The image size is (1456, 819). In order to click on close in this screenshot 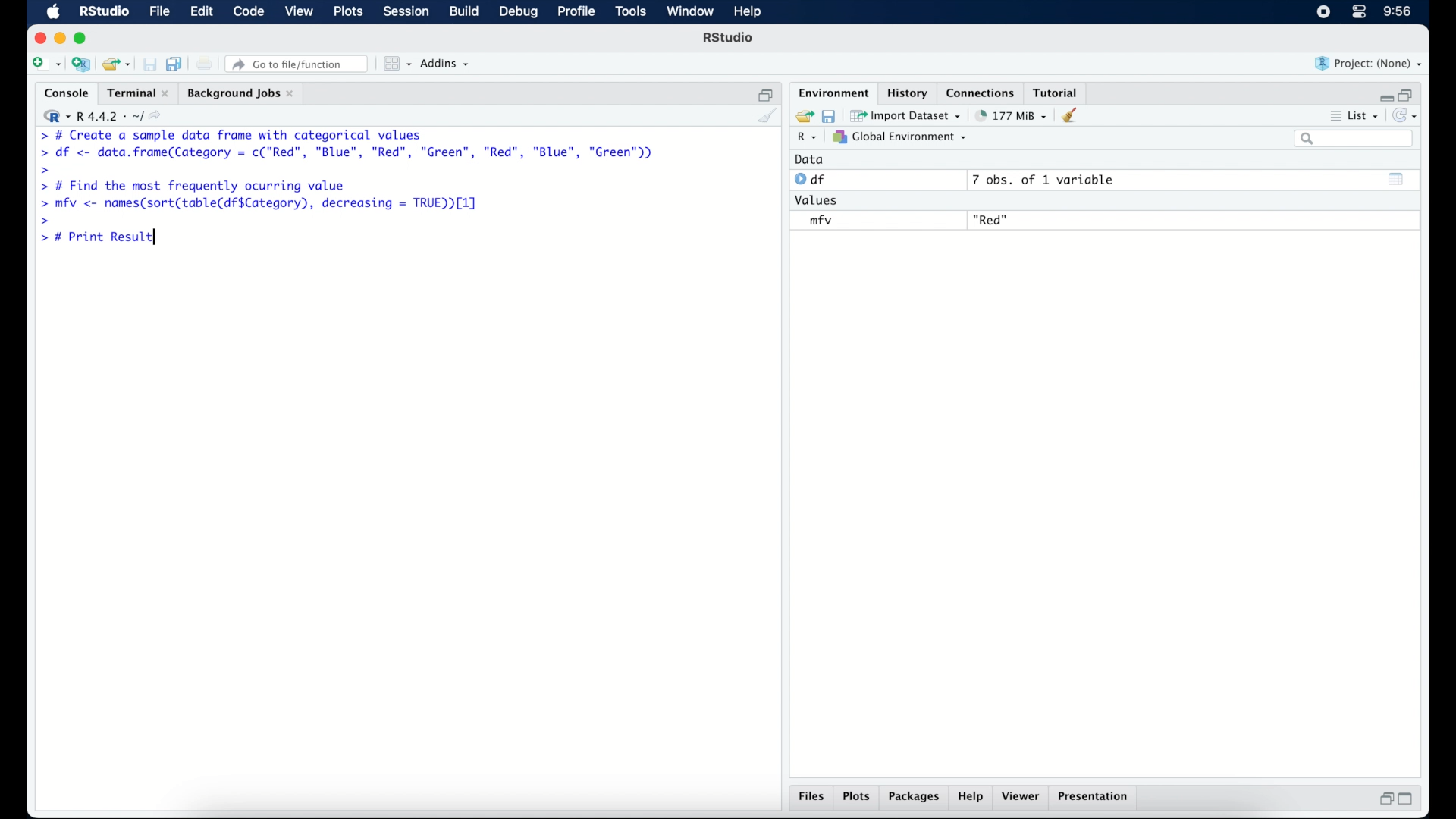, I will do `click(37, 37)`.